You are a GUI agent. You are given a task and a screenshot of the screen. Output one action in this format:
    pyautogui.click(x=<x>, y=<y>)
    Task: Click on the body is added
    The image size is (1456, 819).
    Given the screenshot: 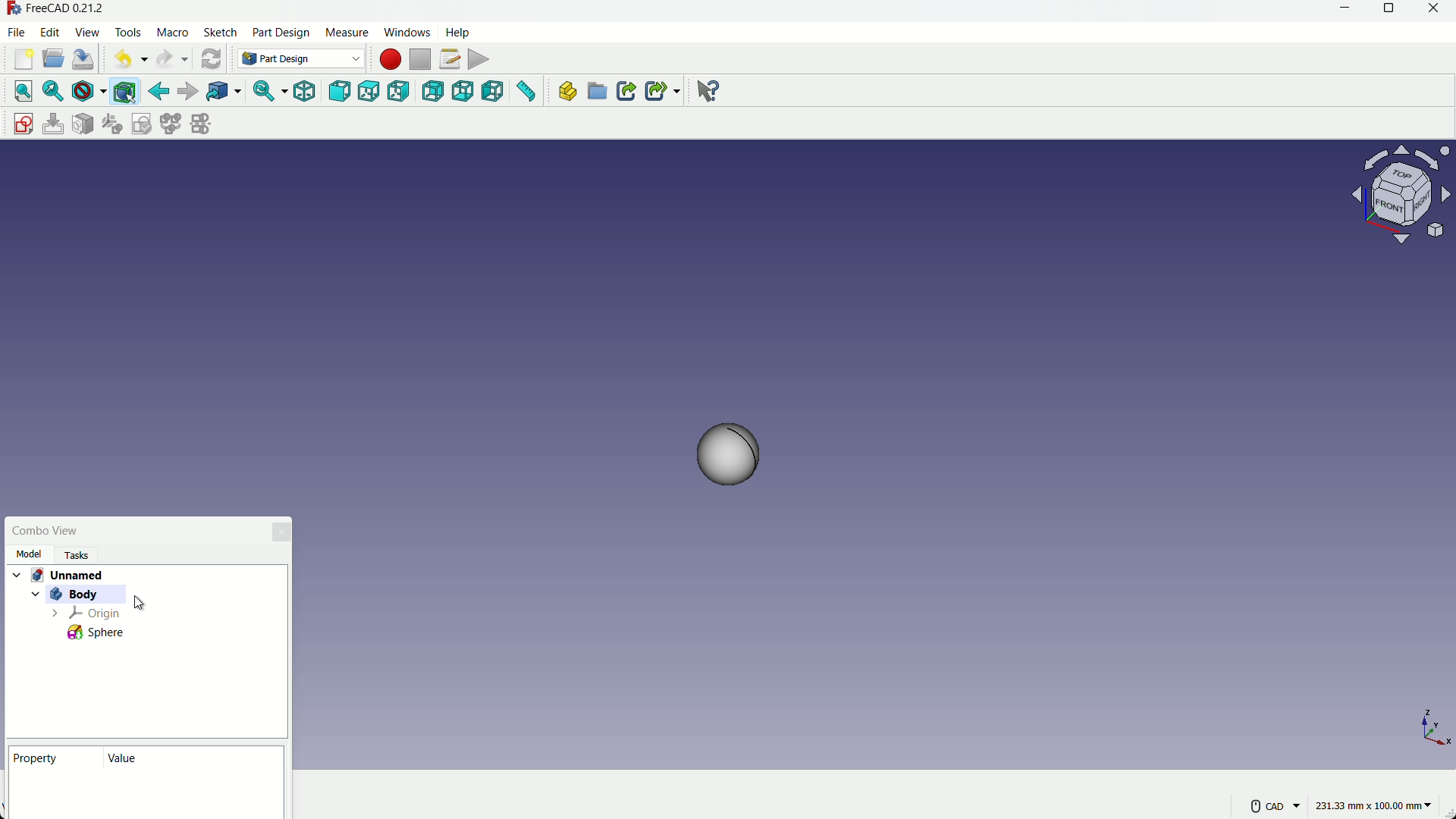 What is the action you would take?
    pyautogui.click(x=70, y=596)
    